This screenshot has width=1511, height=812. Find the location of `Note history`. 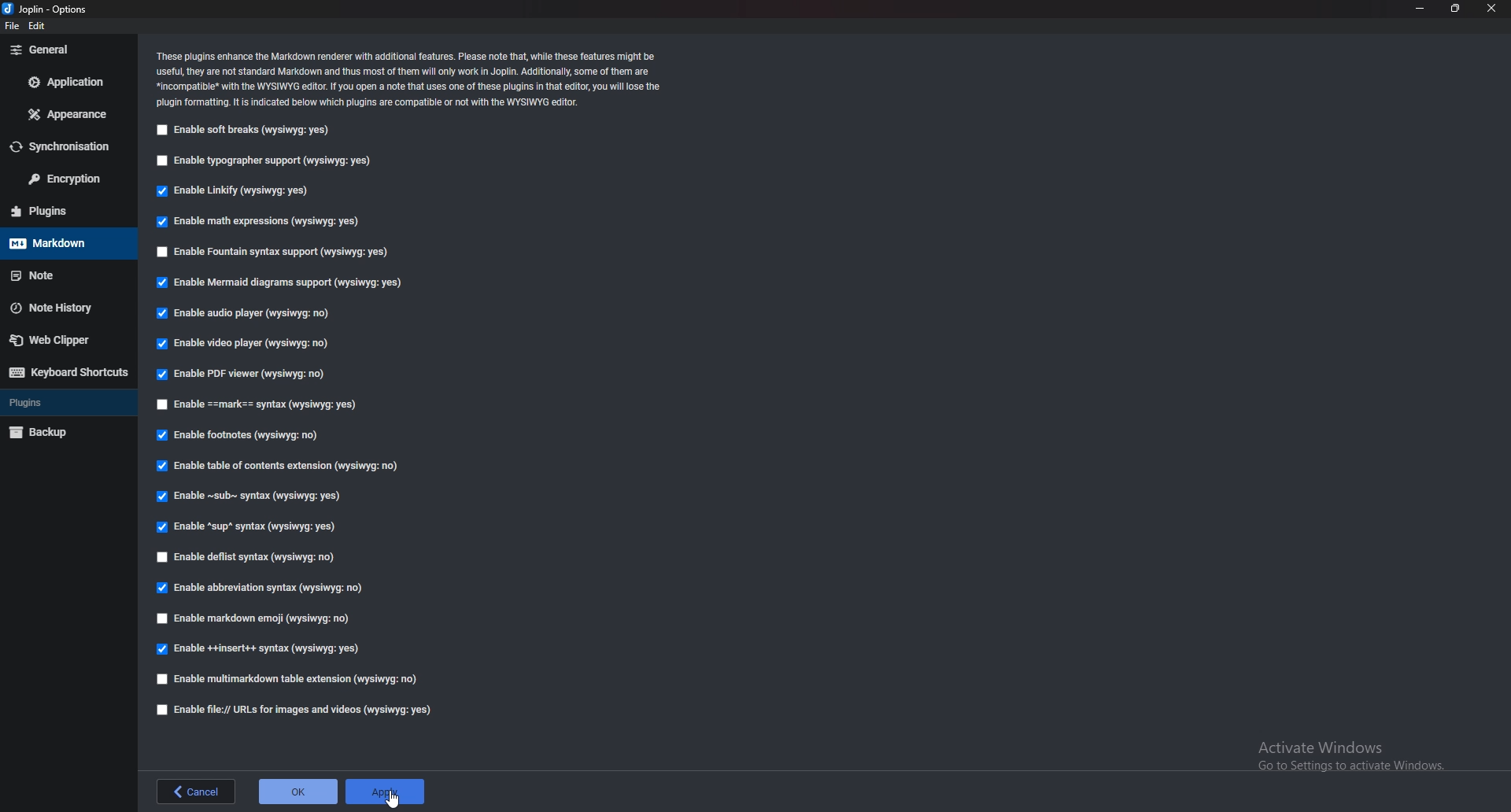

Note history is located at coordinates (66, 308).